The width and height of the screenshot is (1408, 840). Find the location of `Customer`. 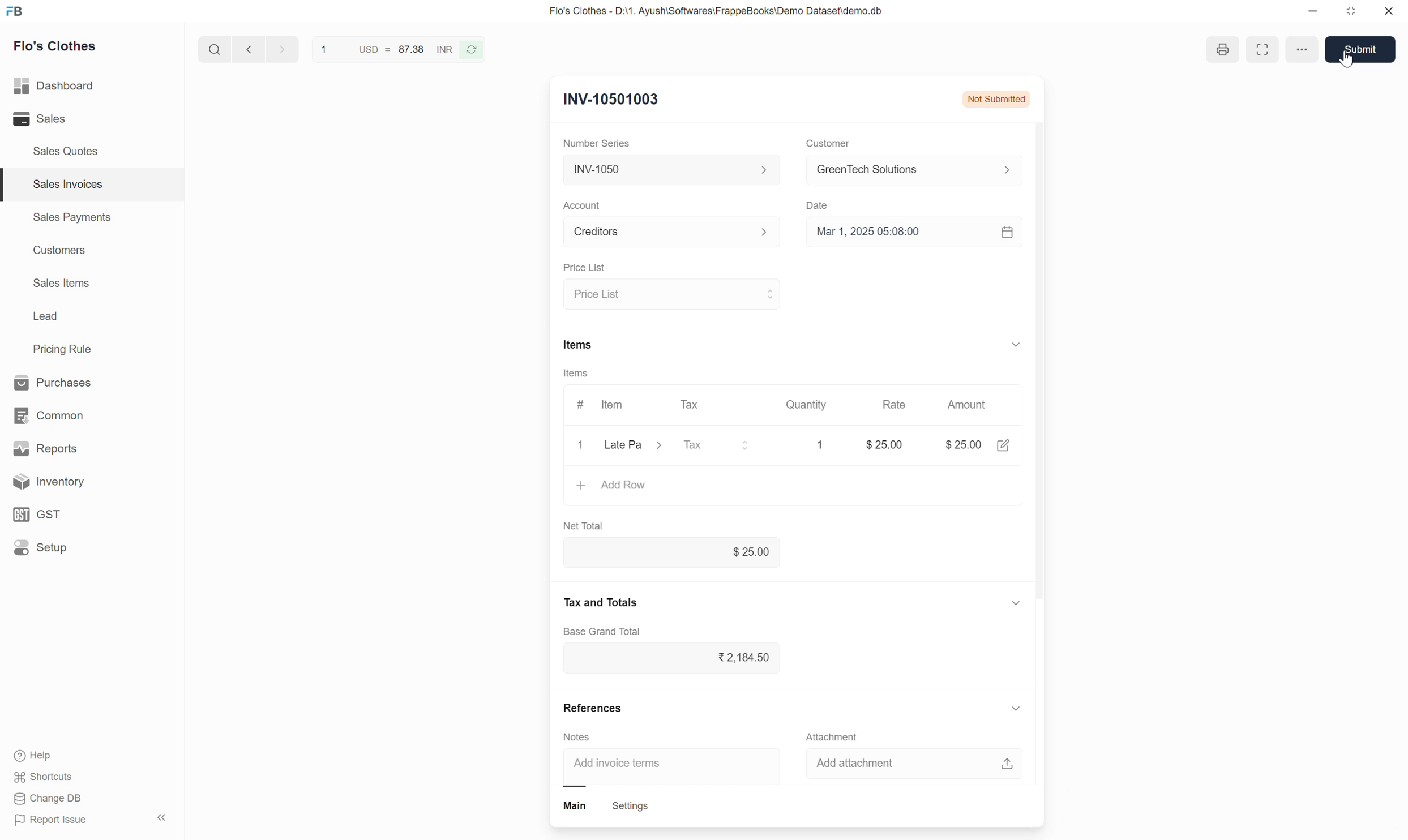

Customer is located at coordinates (827, 144).